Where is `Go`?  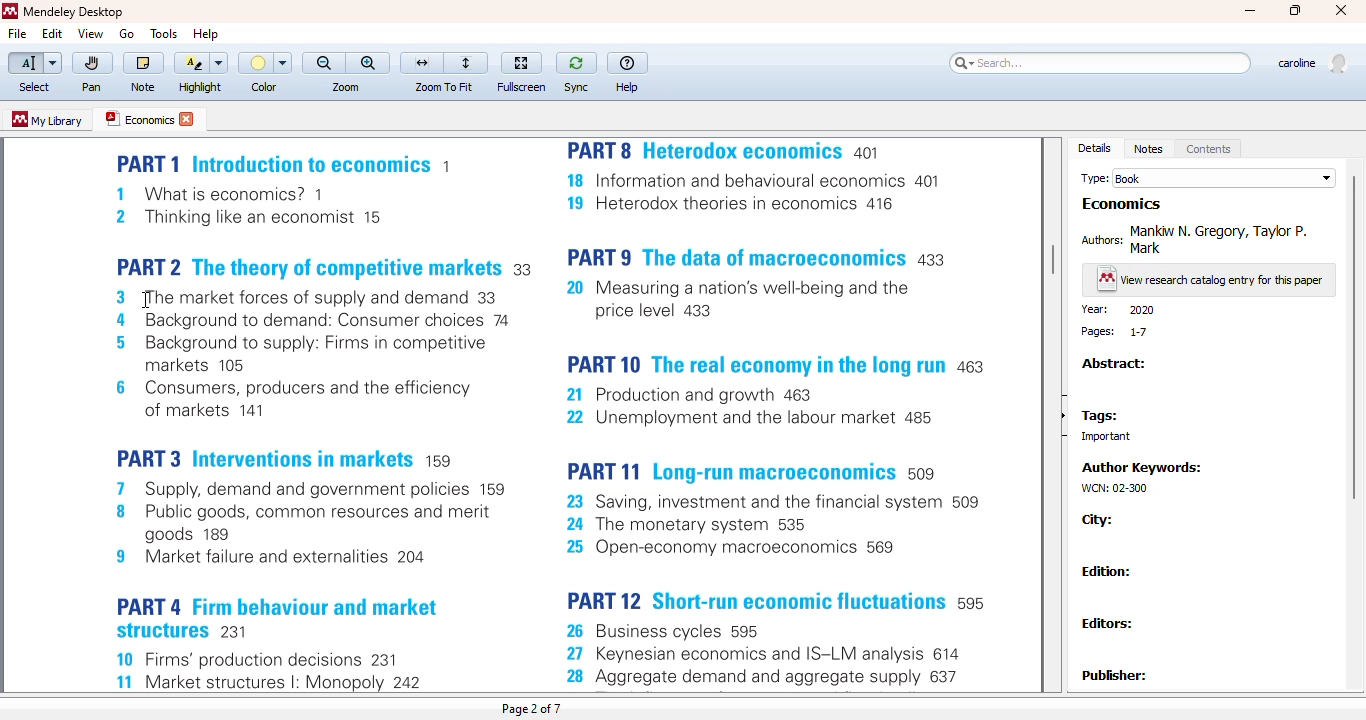 Go is located at coordinates (125, 33).